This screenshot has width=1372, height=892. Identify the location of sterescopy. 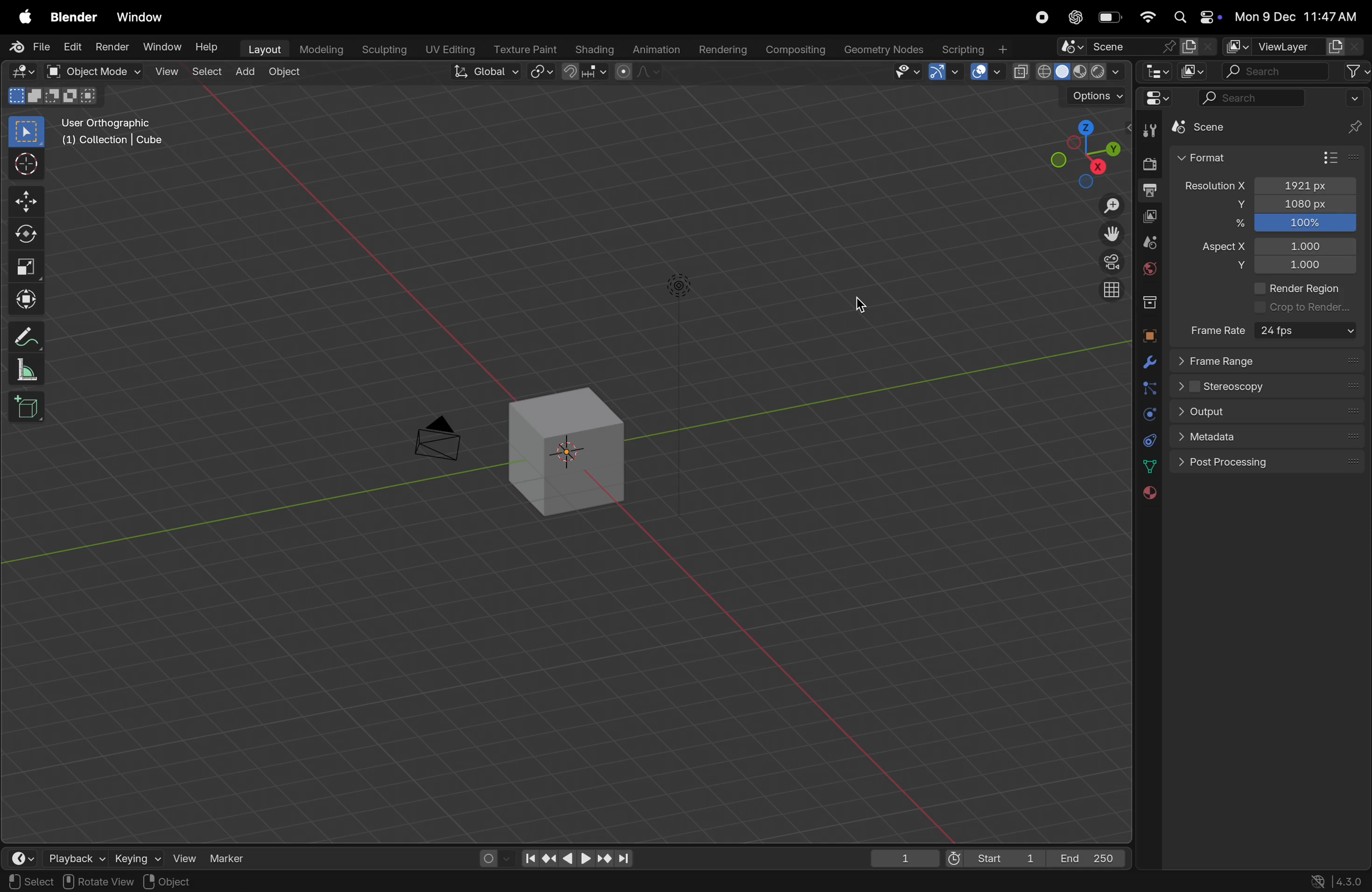
(1235, 387).